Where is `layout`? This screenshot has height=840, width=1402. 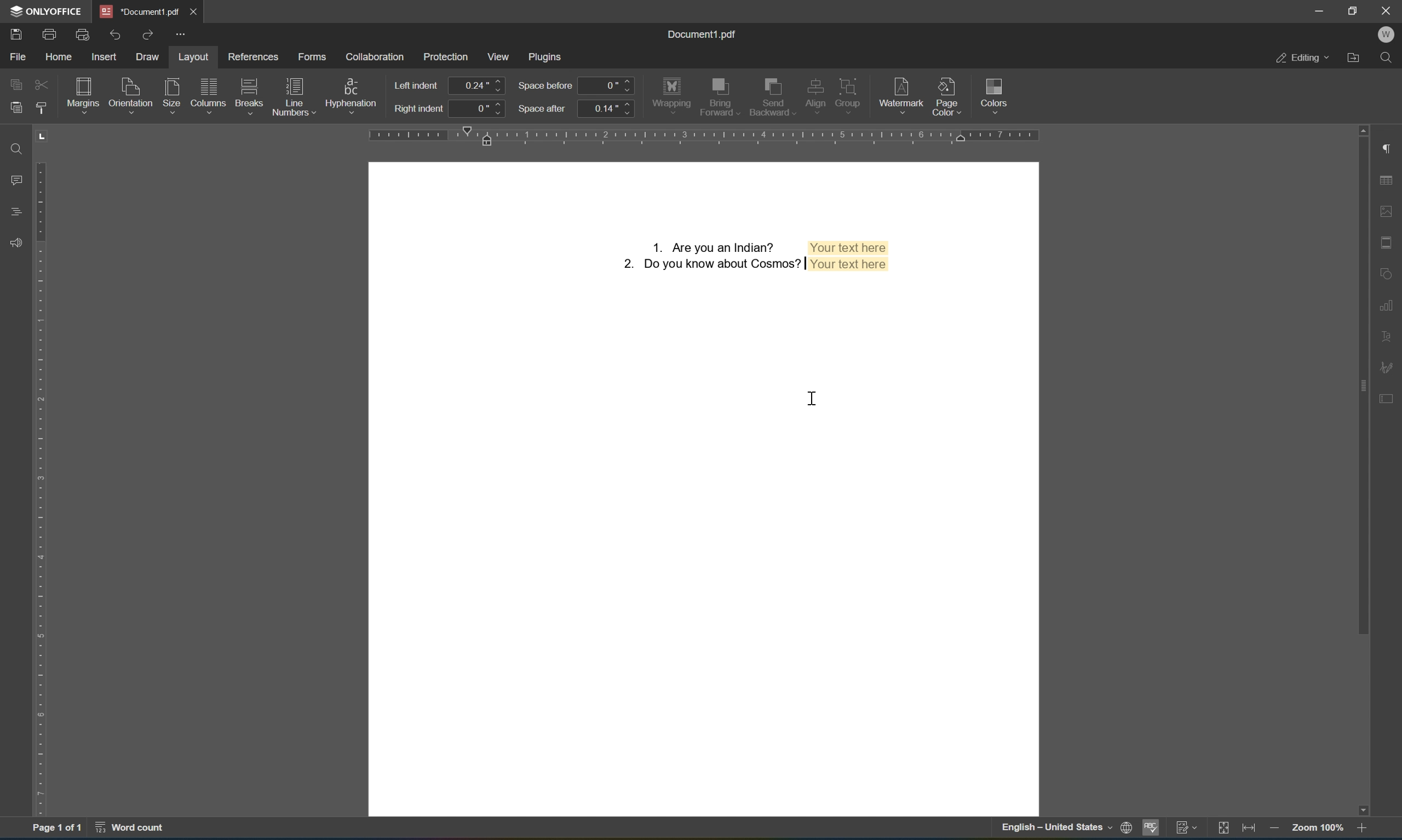 layout is located at coordinates (193, 57).